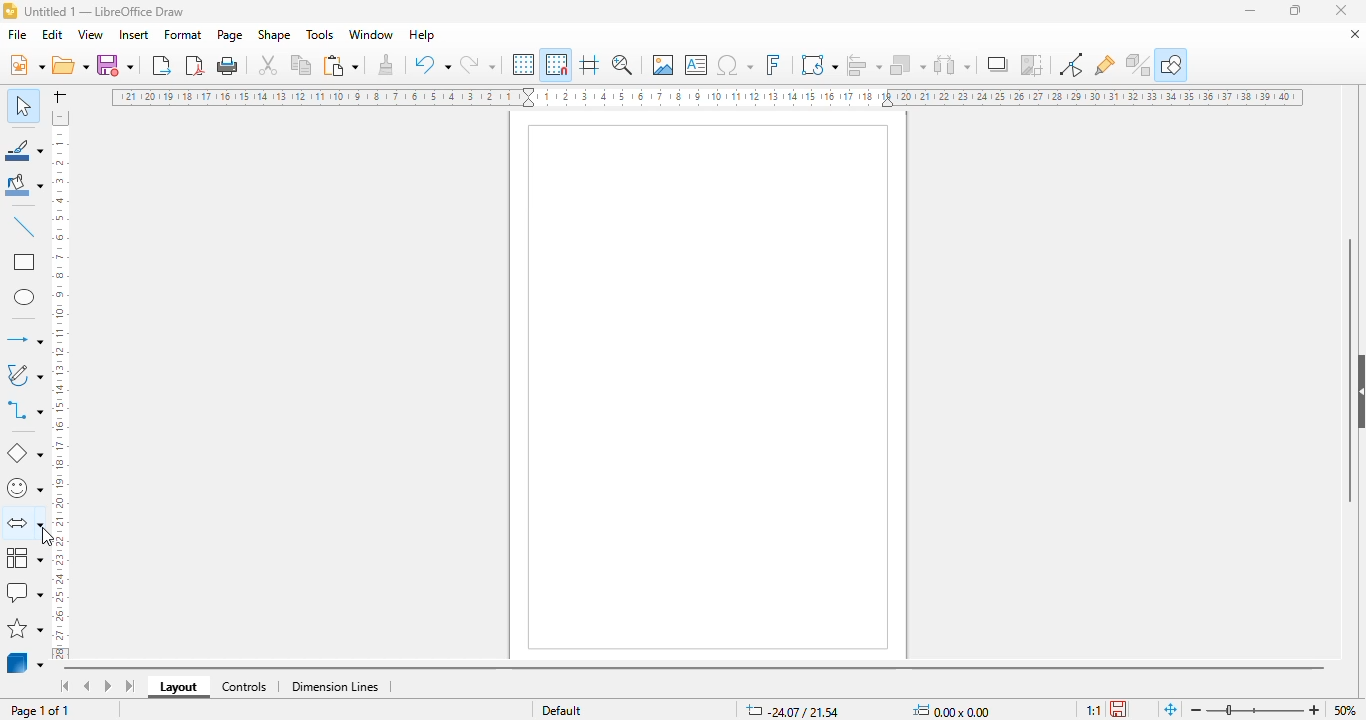  Describe the element at coordinates (1171, 710) in the screenshot. I see `fit page to current window` at that location.